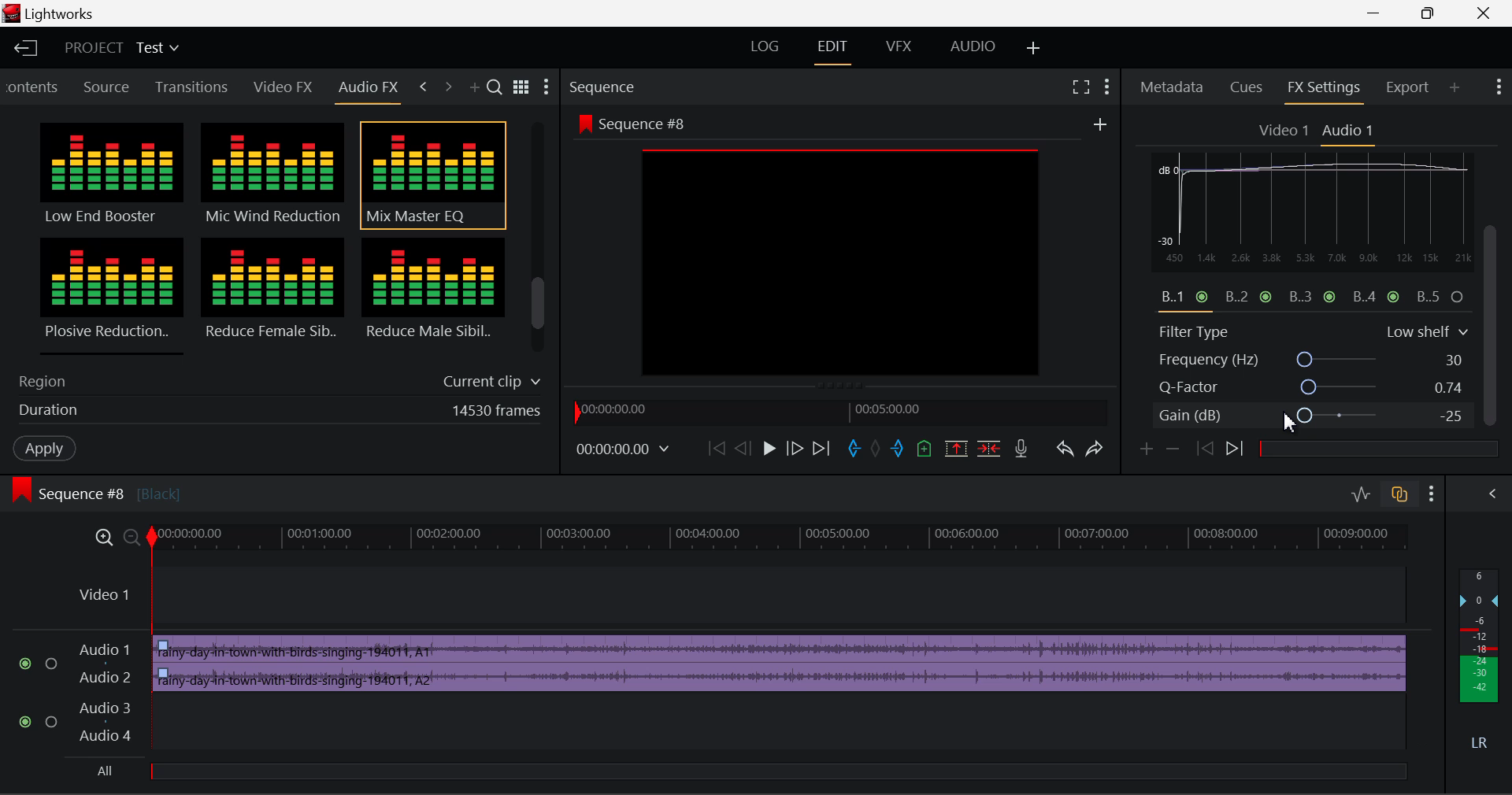  Describe the element at coordinates (447, 85) in the screenshot. I see `Next Tab` at that location.